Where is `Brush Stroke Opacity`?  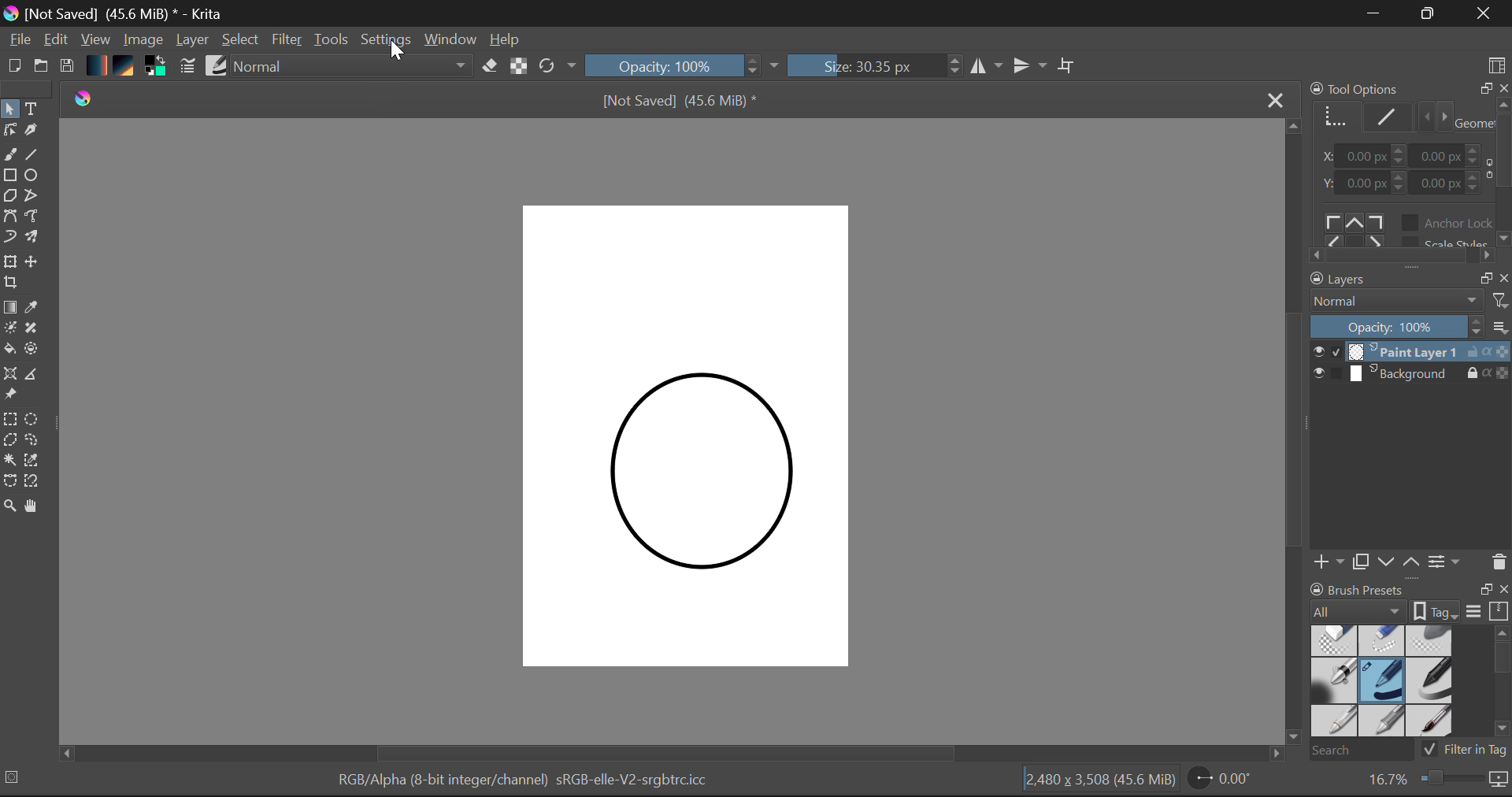 Brush Stroke Opacity is located at coordinates (677, 65).